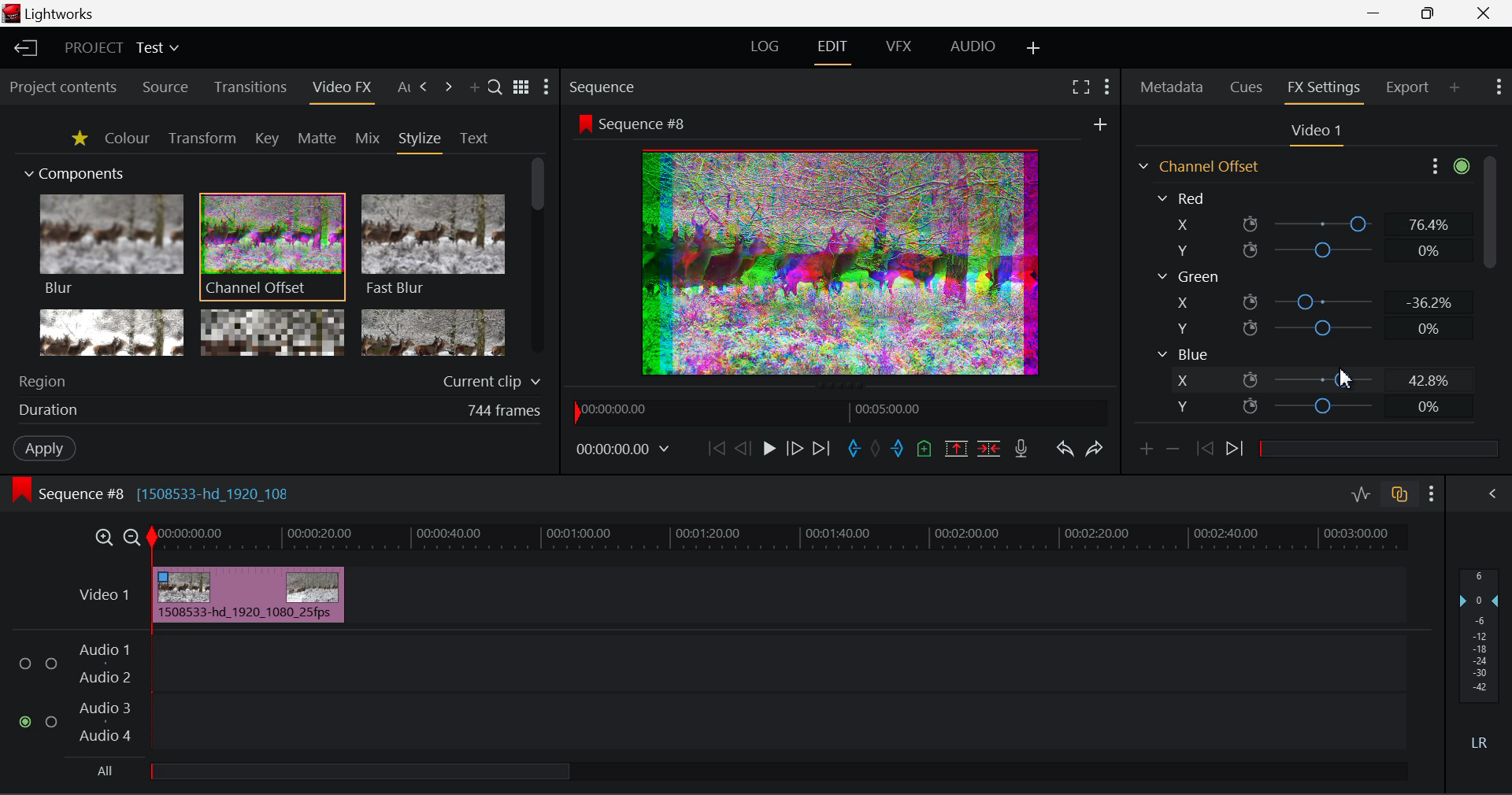 This screenshot has width=1512, height=795. Describe the element at coordinates (896, 449) in the screenshot. I see `Mark Out` at that location.